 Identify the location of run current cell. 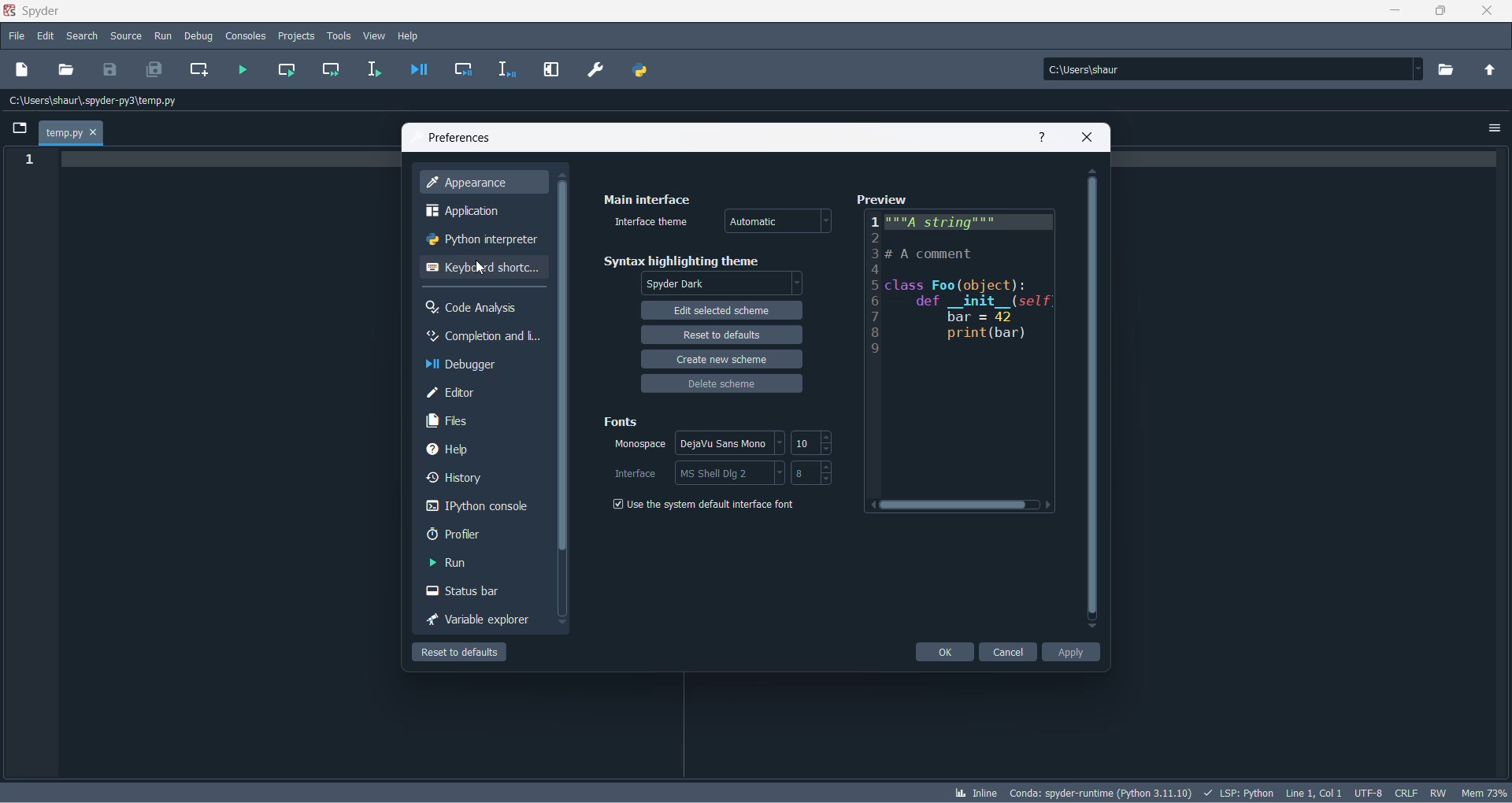
(287, 68).